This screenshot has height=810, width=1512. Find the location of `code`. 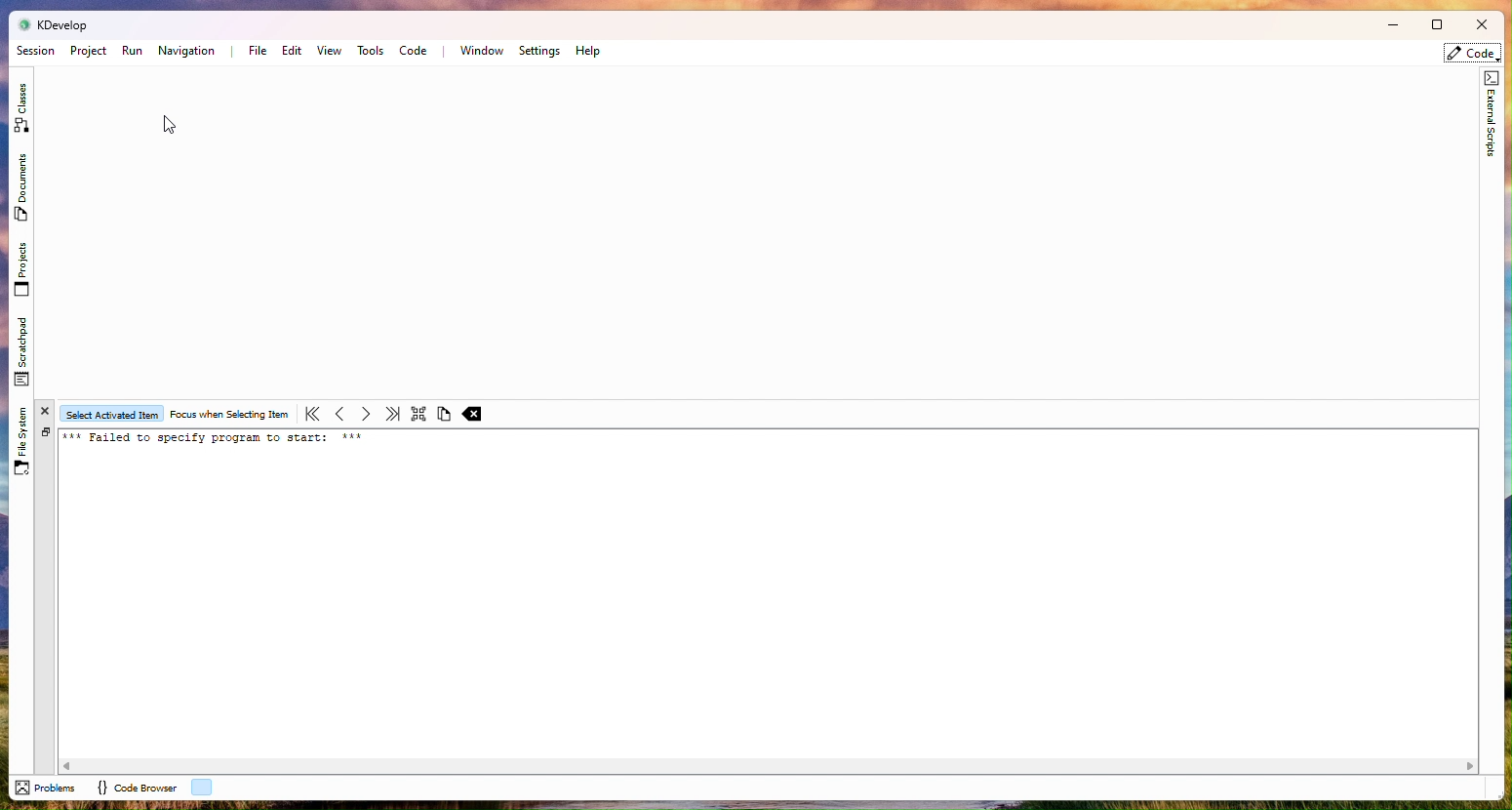

code is located at coordinates (1473, 54).